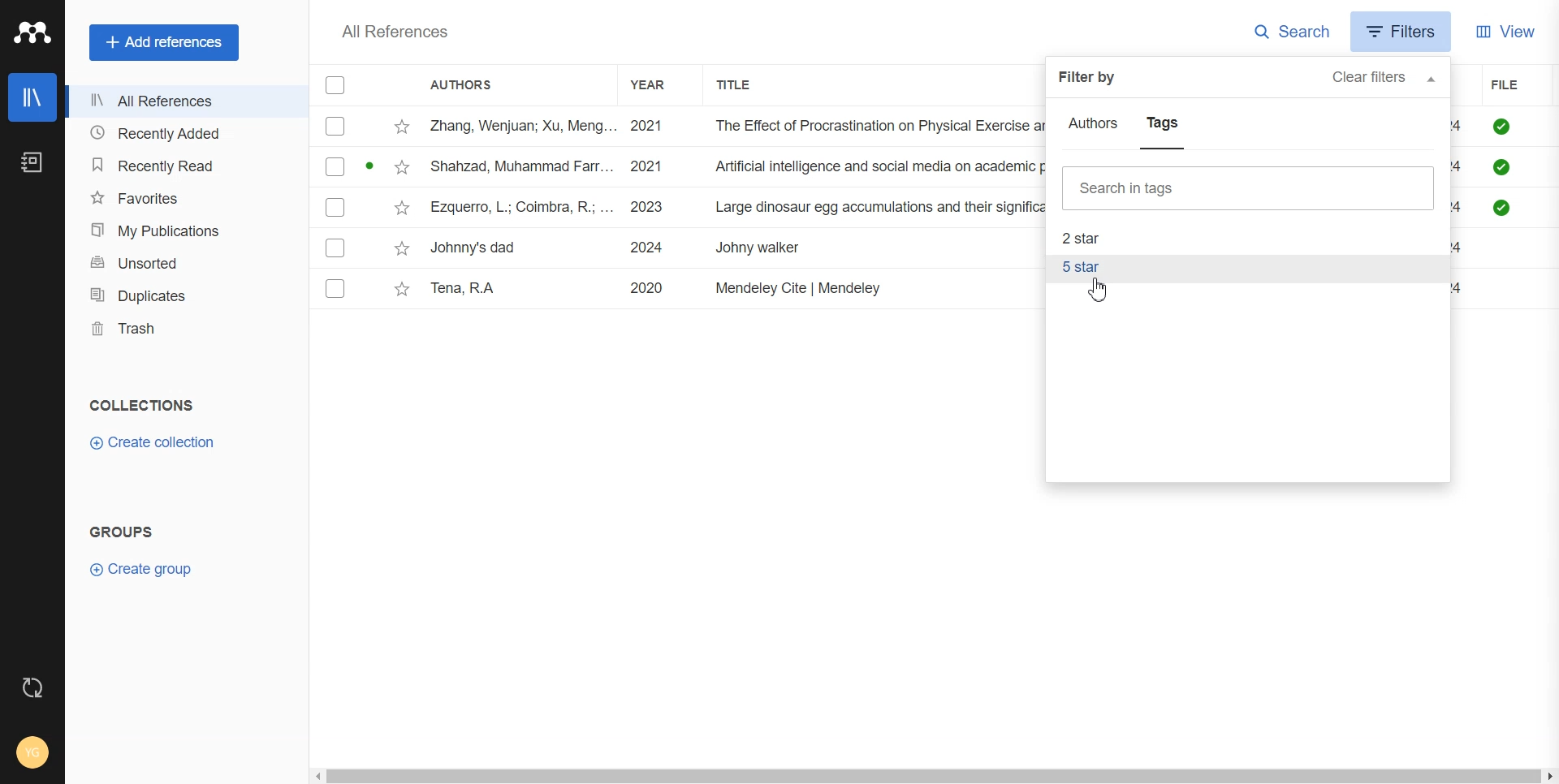 This screenshot has width=1559, height=784. Describe the element at coordinates (32, 32) in the screenshot. I see `Logo` at that location.